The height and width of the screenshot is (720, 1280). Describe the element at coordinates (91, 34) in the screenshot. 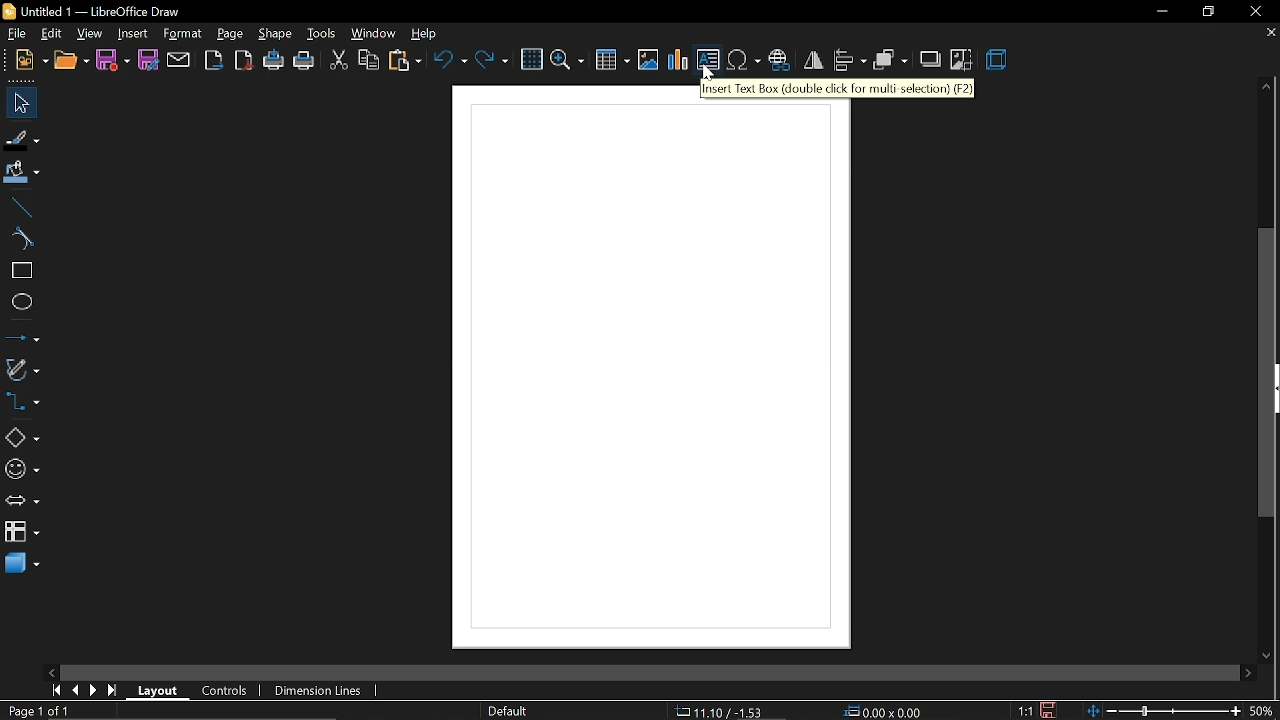

I see `view` at that location.